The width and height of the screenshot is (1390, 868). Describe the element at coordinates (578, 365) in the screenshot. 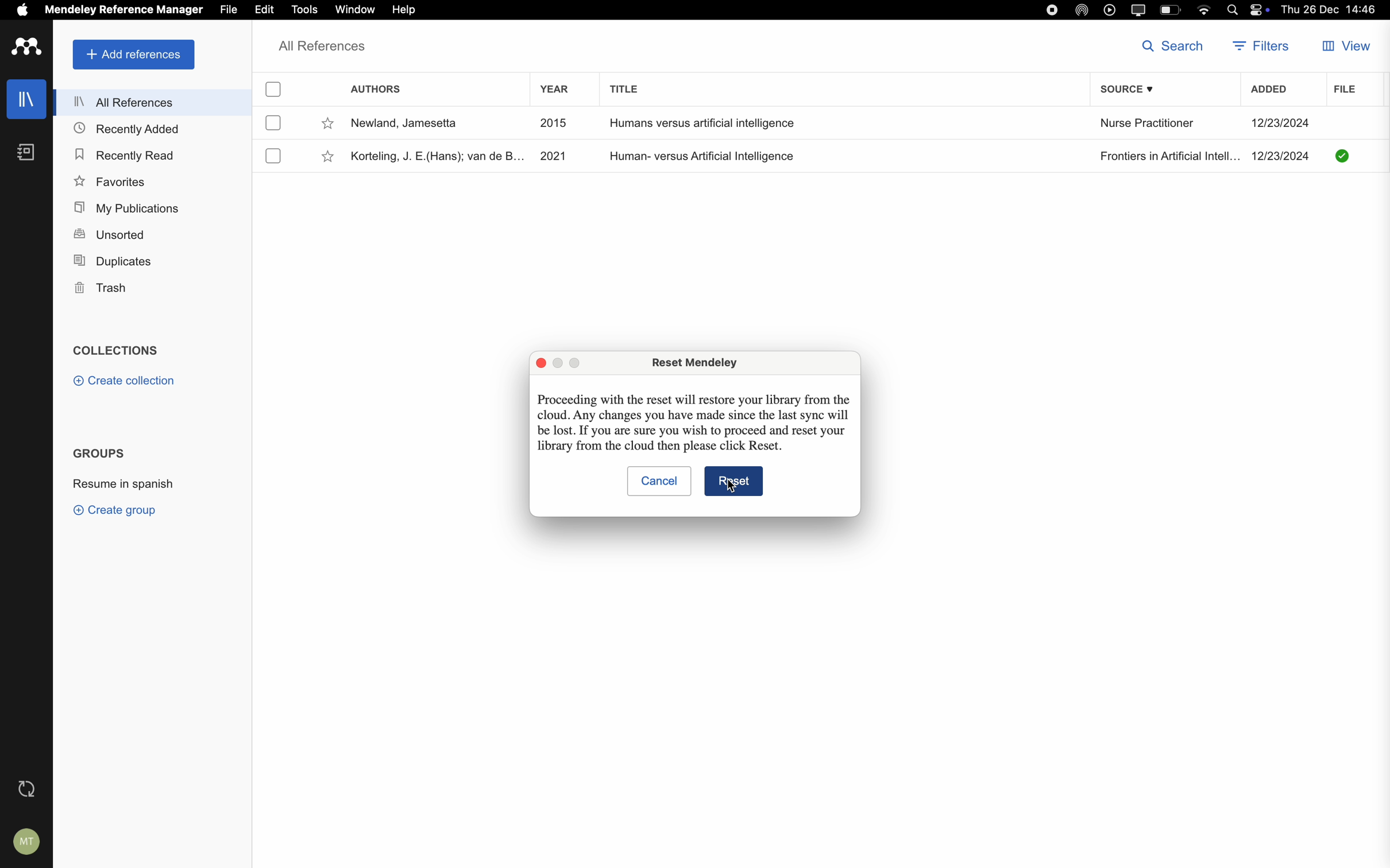

I see `disable maximize popup` at that location.